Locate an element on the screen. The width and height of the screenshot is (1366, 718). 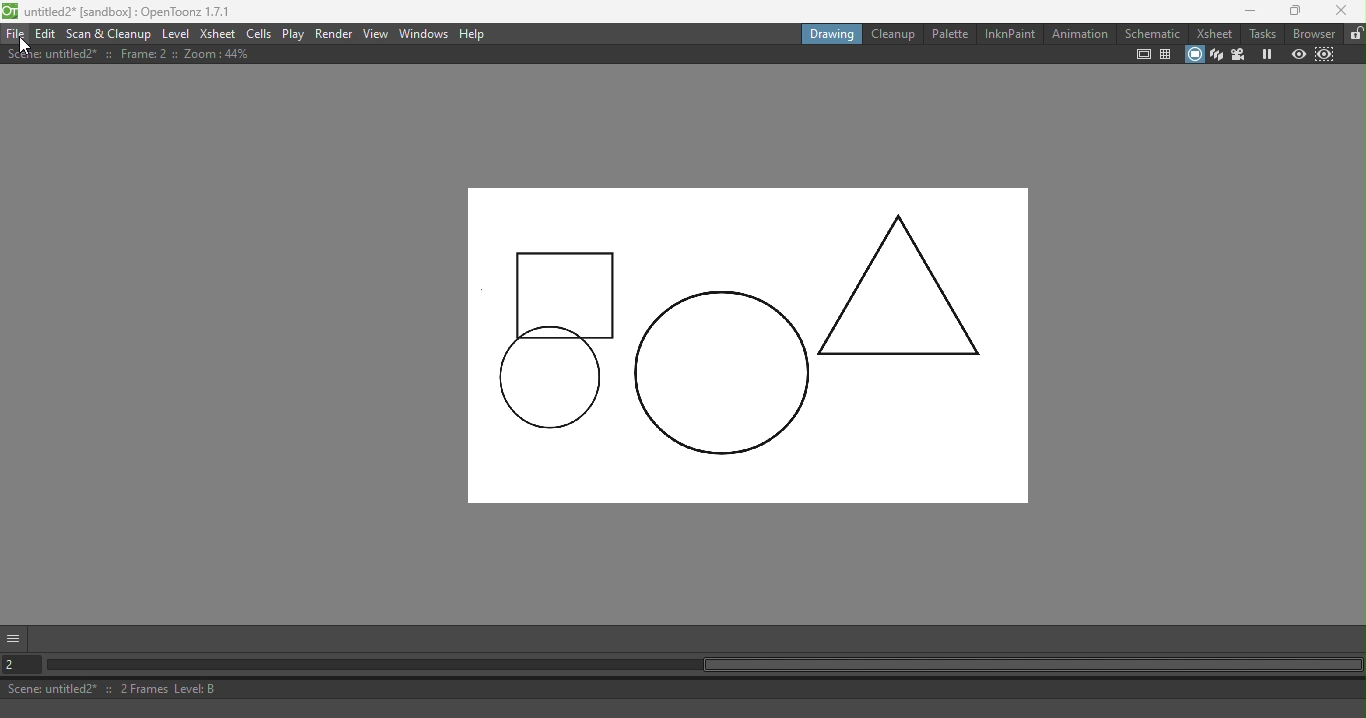
Camera view is located at coordinates (1237, 54).